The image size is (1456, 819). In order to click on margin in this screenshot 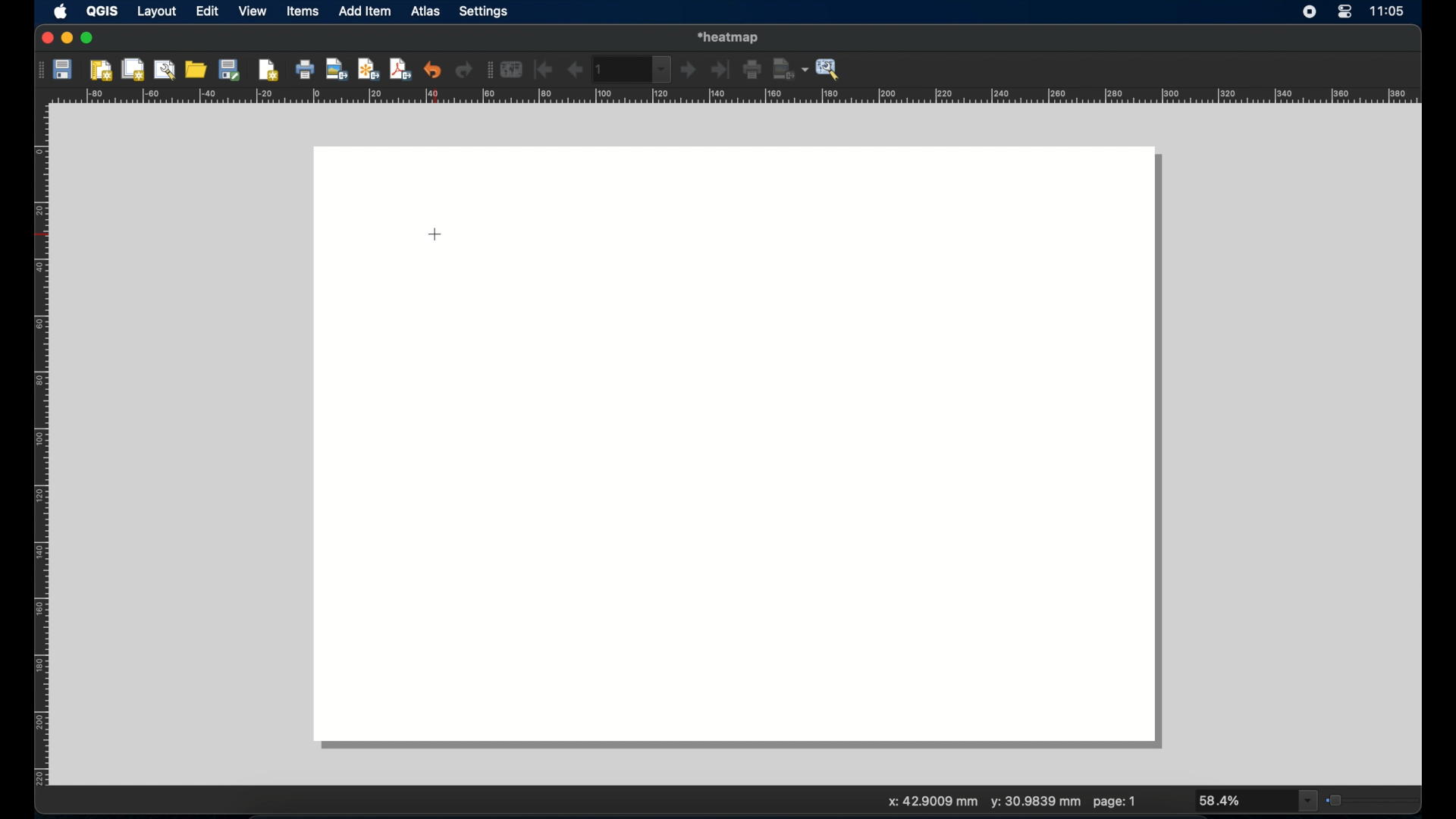, I will do `click(36, 448)`.